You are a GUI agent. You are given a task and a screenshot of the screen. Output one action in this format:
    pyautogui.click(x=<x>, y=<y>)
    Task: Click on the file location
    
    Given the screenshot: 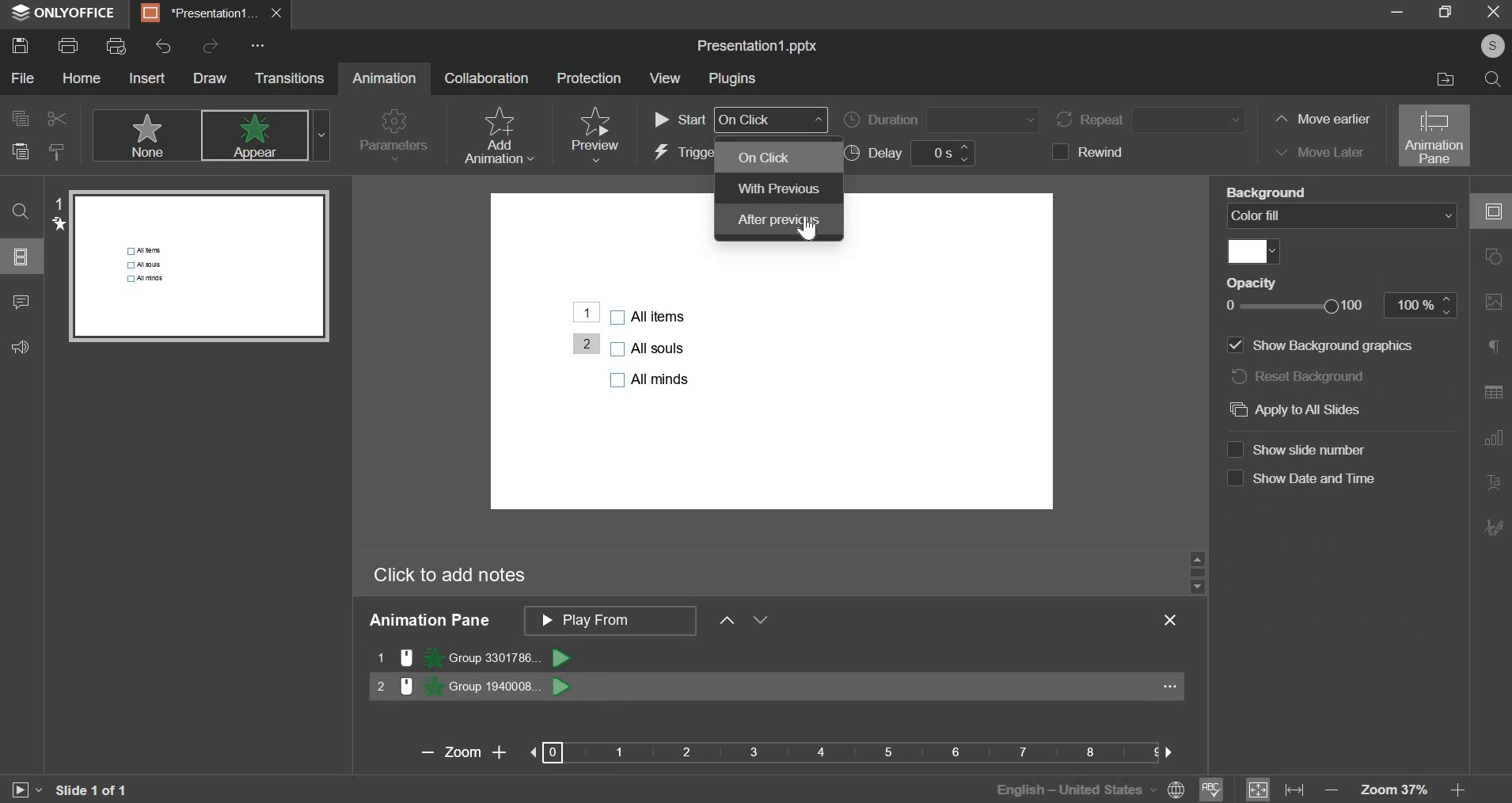 What is the action you would take?
    pyautogui.click(x=1439, y=79)
    